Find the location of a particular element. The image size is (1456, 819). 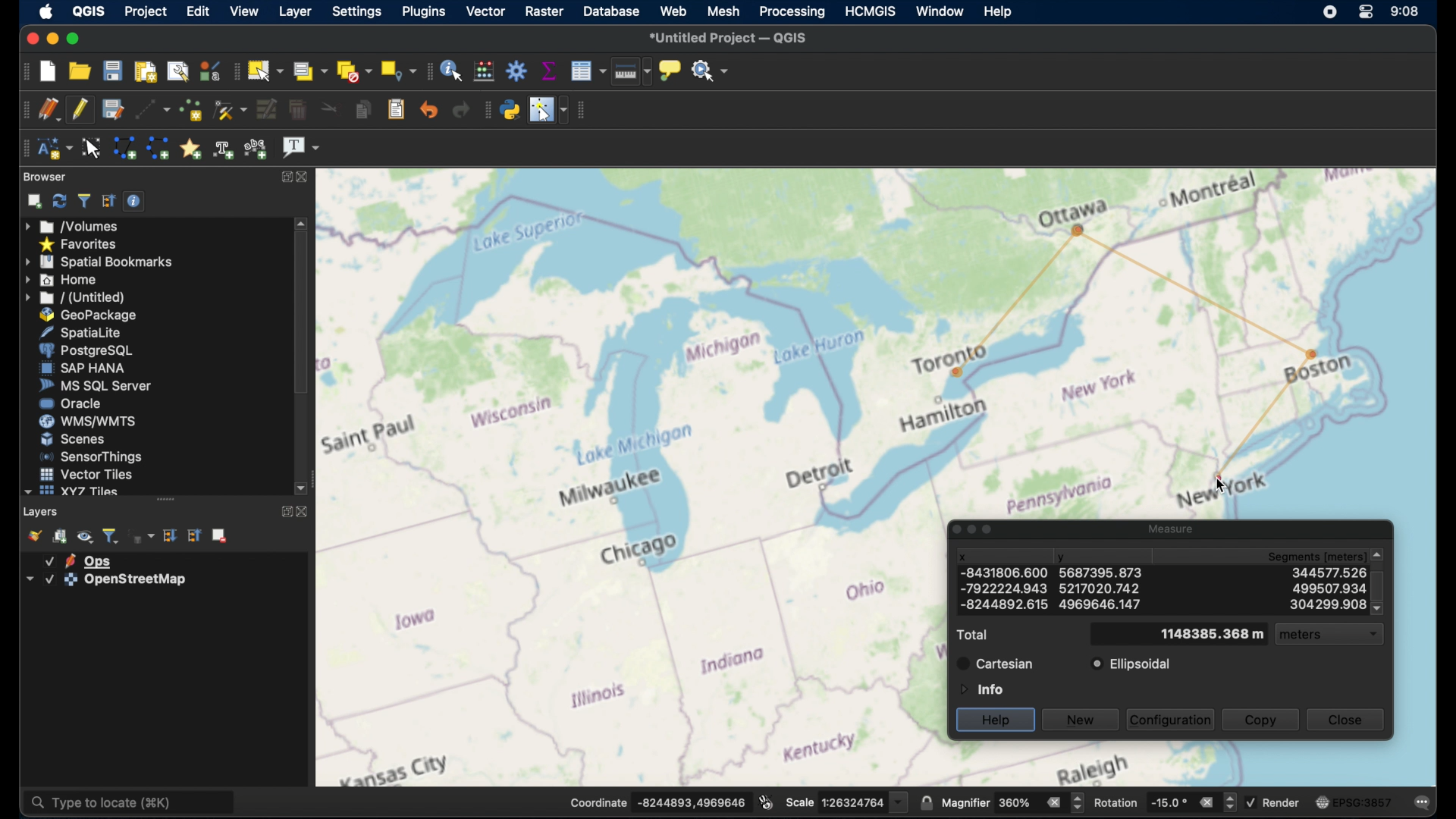

database is located at coordinates (613, 12).